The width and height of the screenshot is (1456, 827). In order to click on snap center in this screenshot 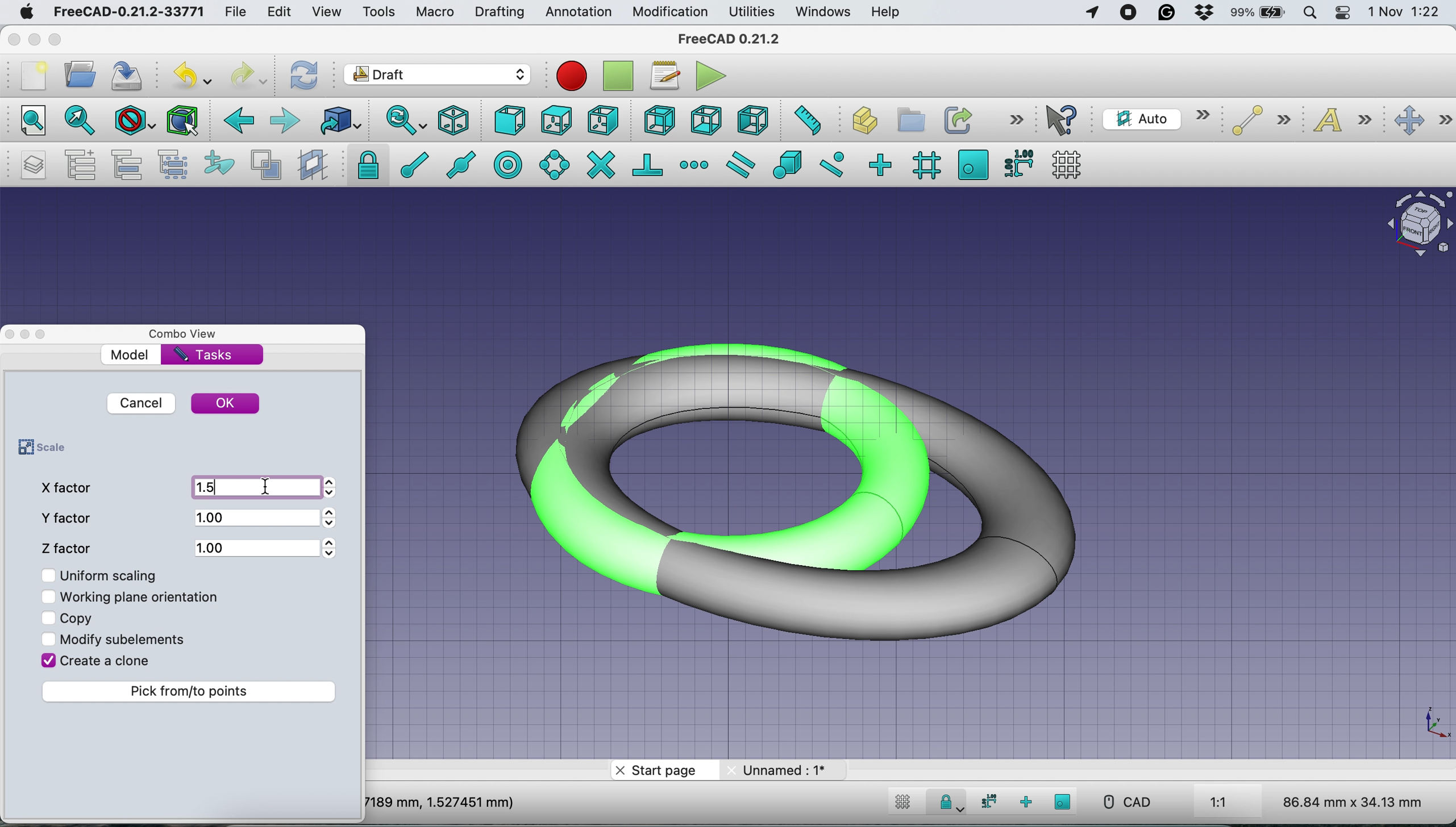, I will do `click(509, 164)`.